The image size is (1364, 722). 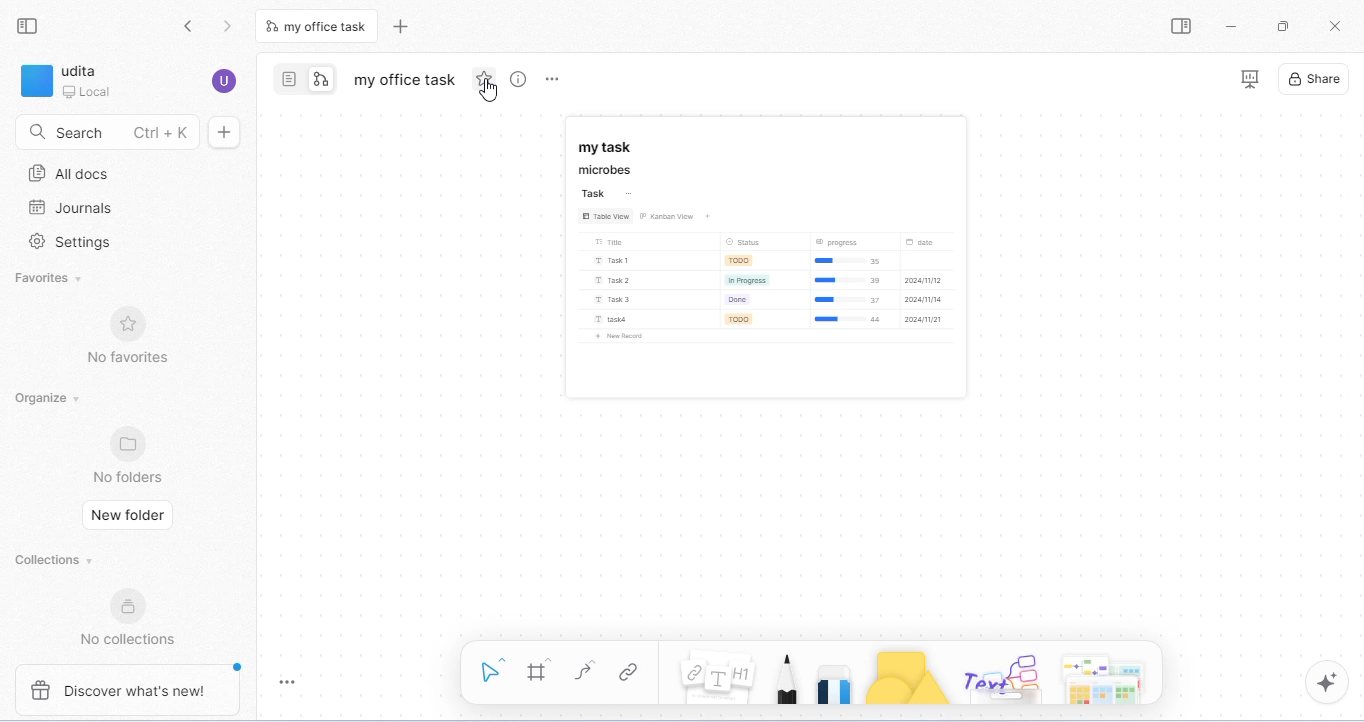 What do you see at coordinates (320, 26) in the screenshot?
I see `tab in edgeless mode` at bounding box center [320, 26].